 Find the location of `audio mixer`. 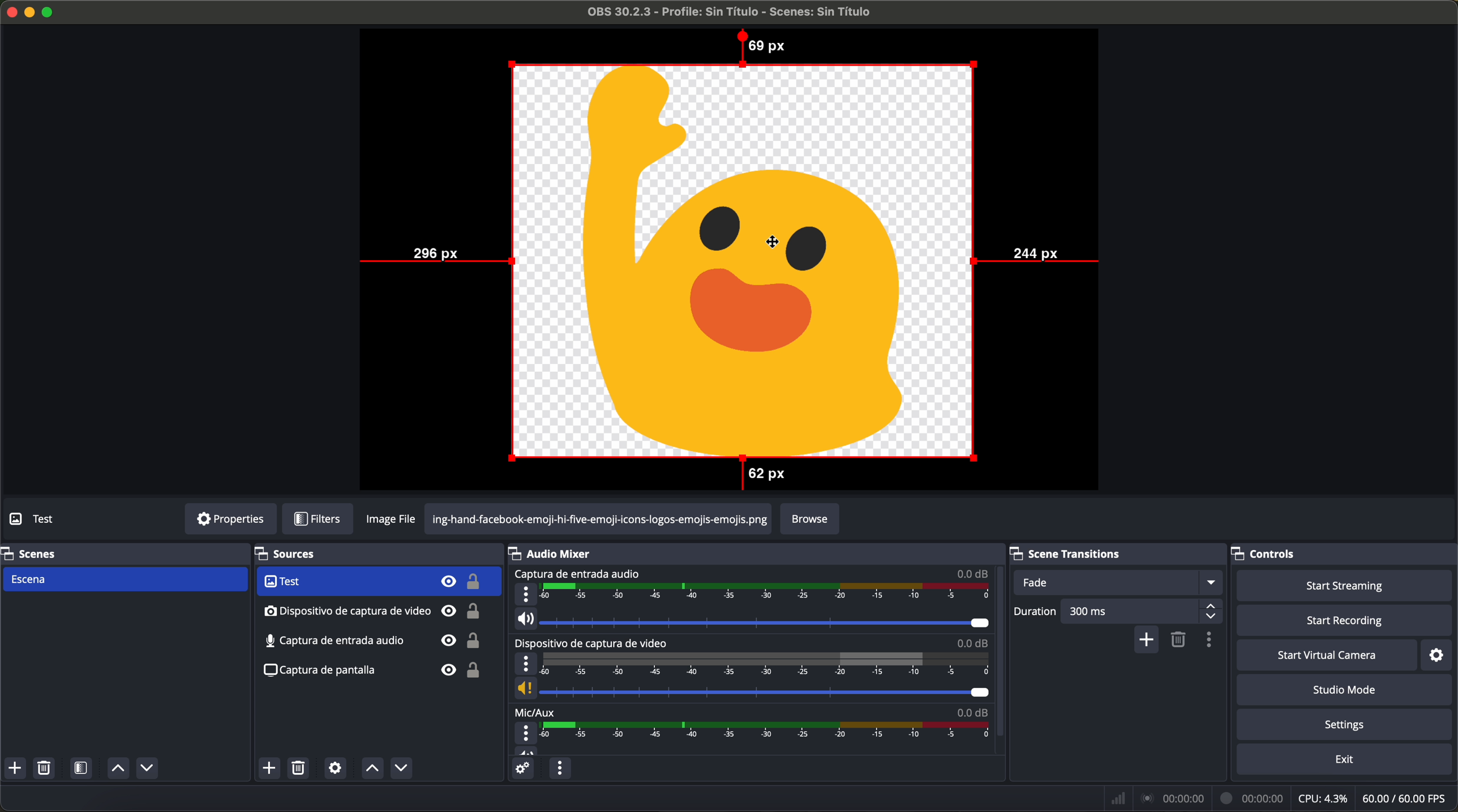

audio mixer is located at coordinates (556, 553).